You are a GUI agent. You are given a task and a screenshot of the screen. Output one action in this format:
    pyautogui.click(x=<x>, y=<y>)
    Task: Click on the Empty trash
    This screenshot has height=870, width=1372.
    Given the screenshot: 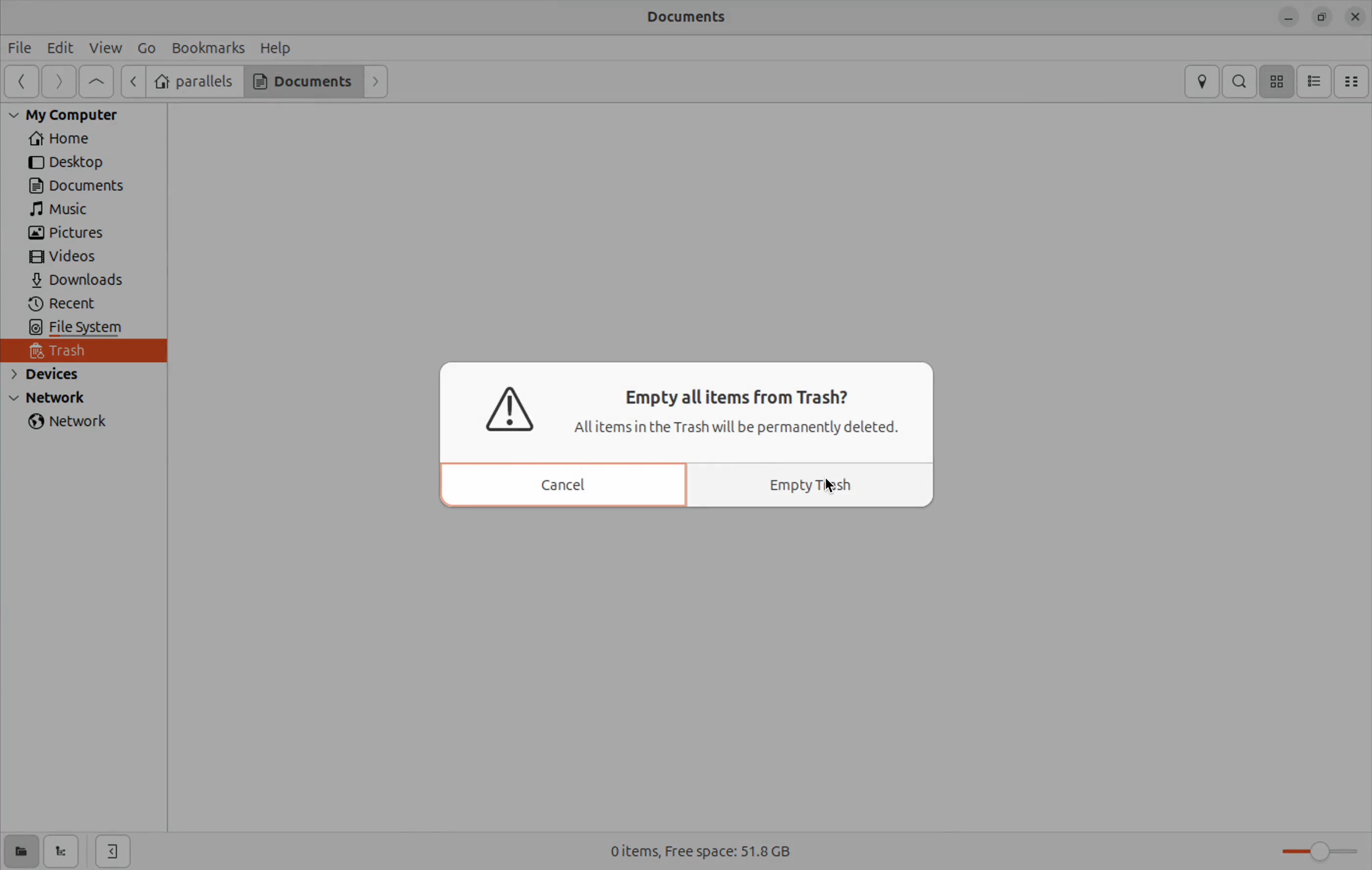 What is the action you would take?
    pyautogui.click(x=812, y=486)
    